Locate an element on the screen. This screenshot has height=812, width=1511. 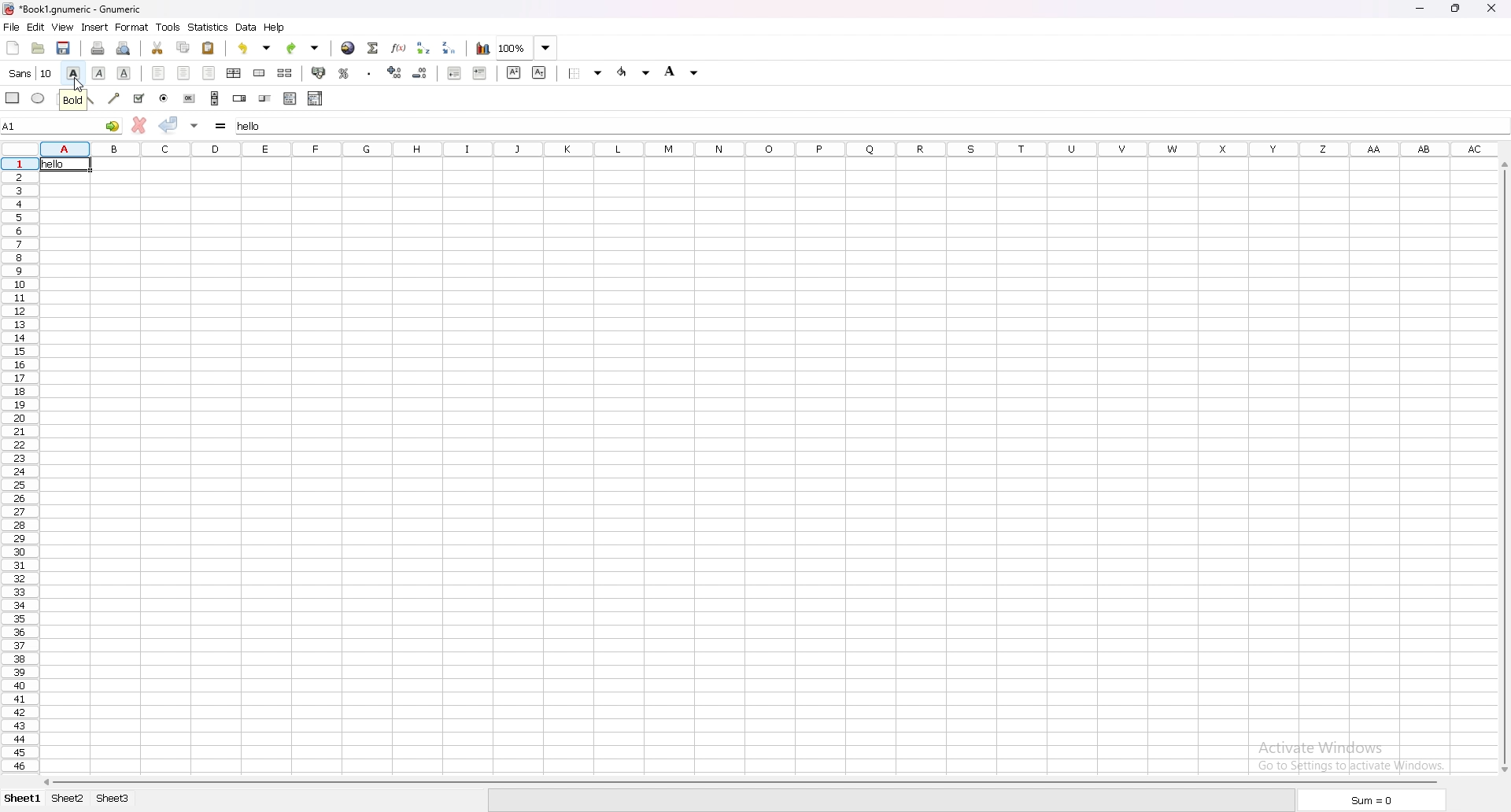
undo is located at coordinates (254, 49).